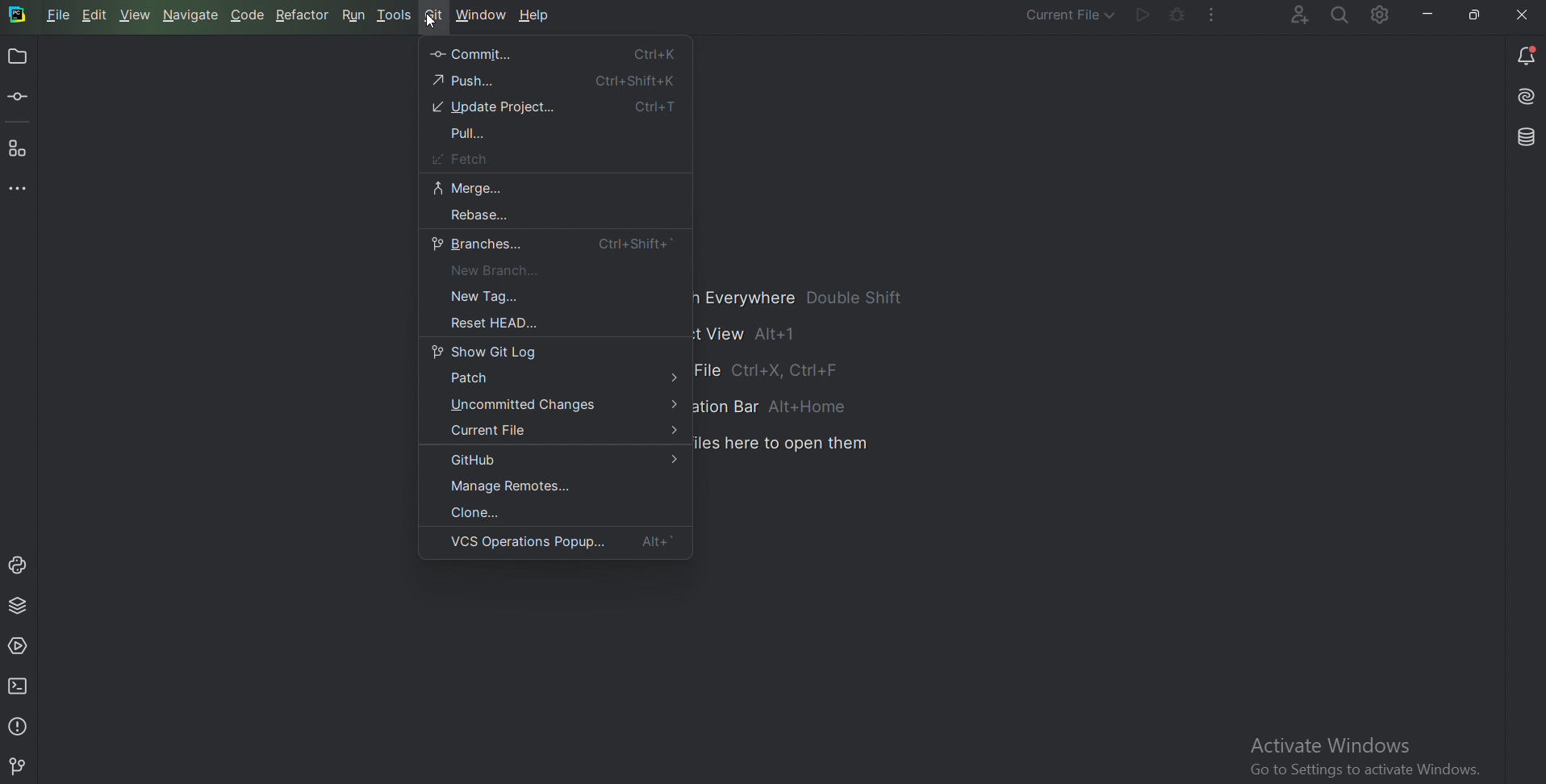 Image resolution: width=1546 pixels, height=784 pixels. What do you see at coordinates (478, 215) in the screenshot?
I see `Rebase` at bounding box center [478, 215].